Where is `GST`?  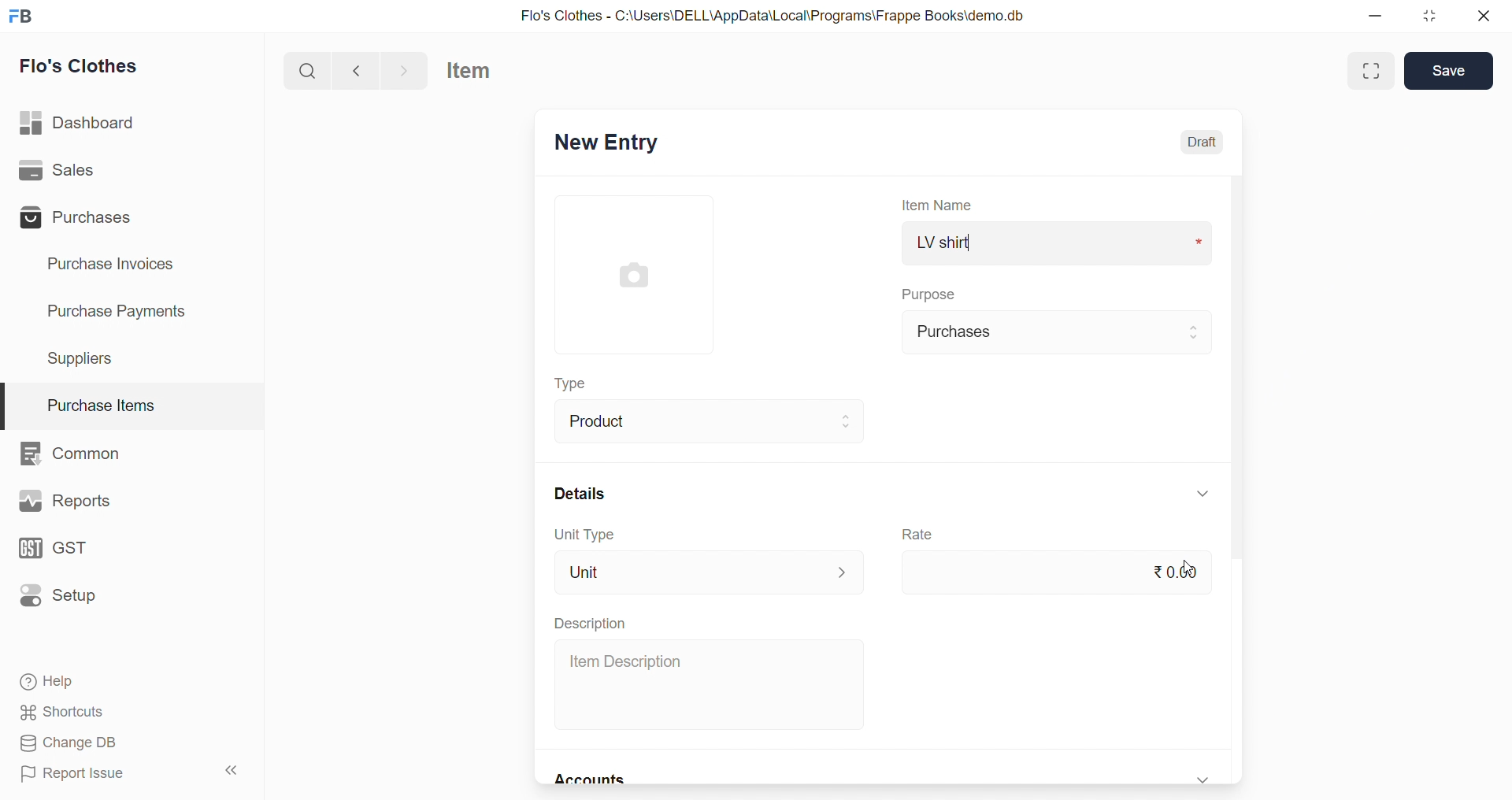 GST is located at coordinates (74, 550).